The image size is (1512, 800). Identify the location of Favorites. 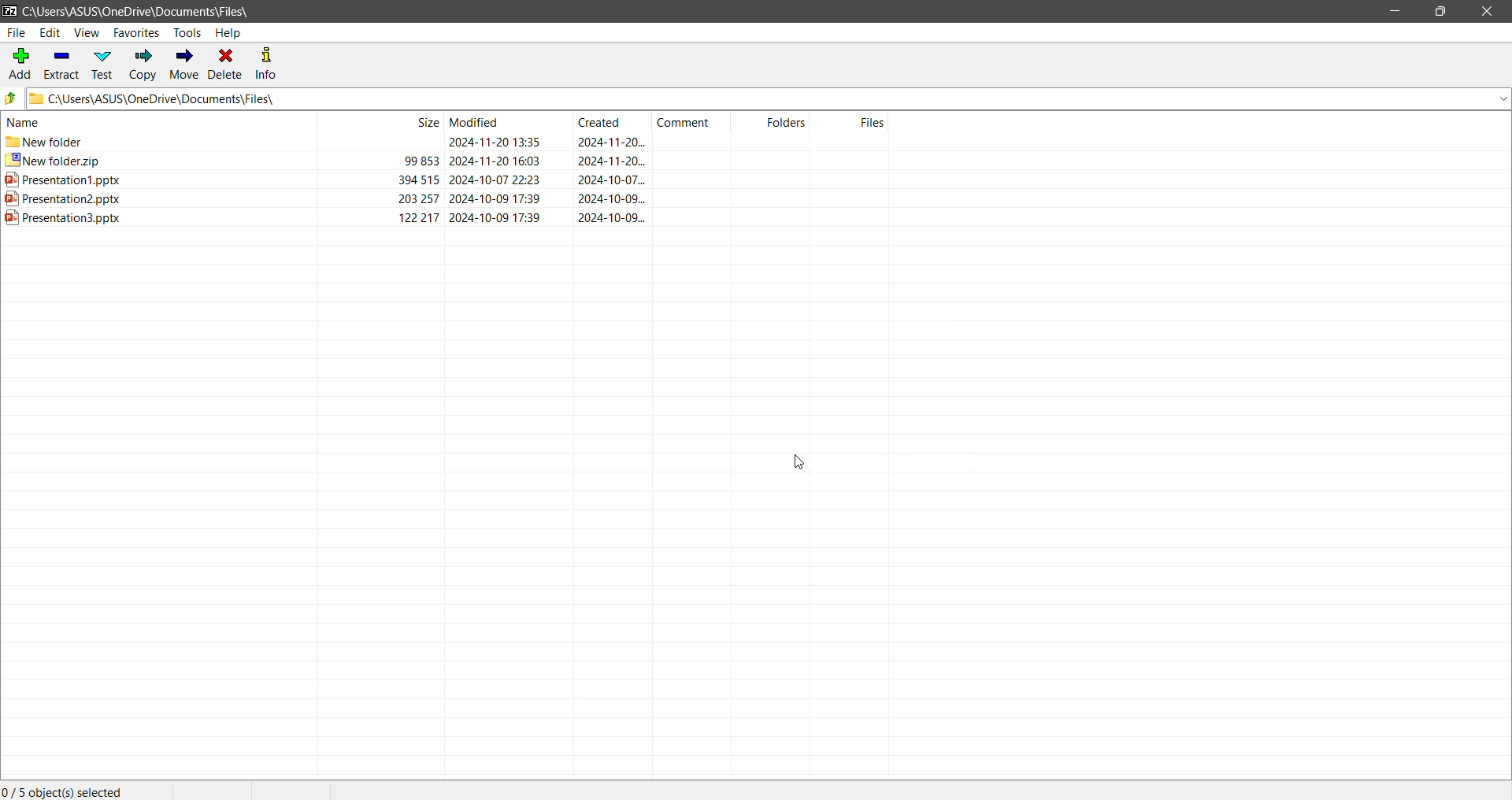
(135, 34).